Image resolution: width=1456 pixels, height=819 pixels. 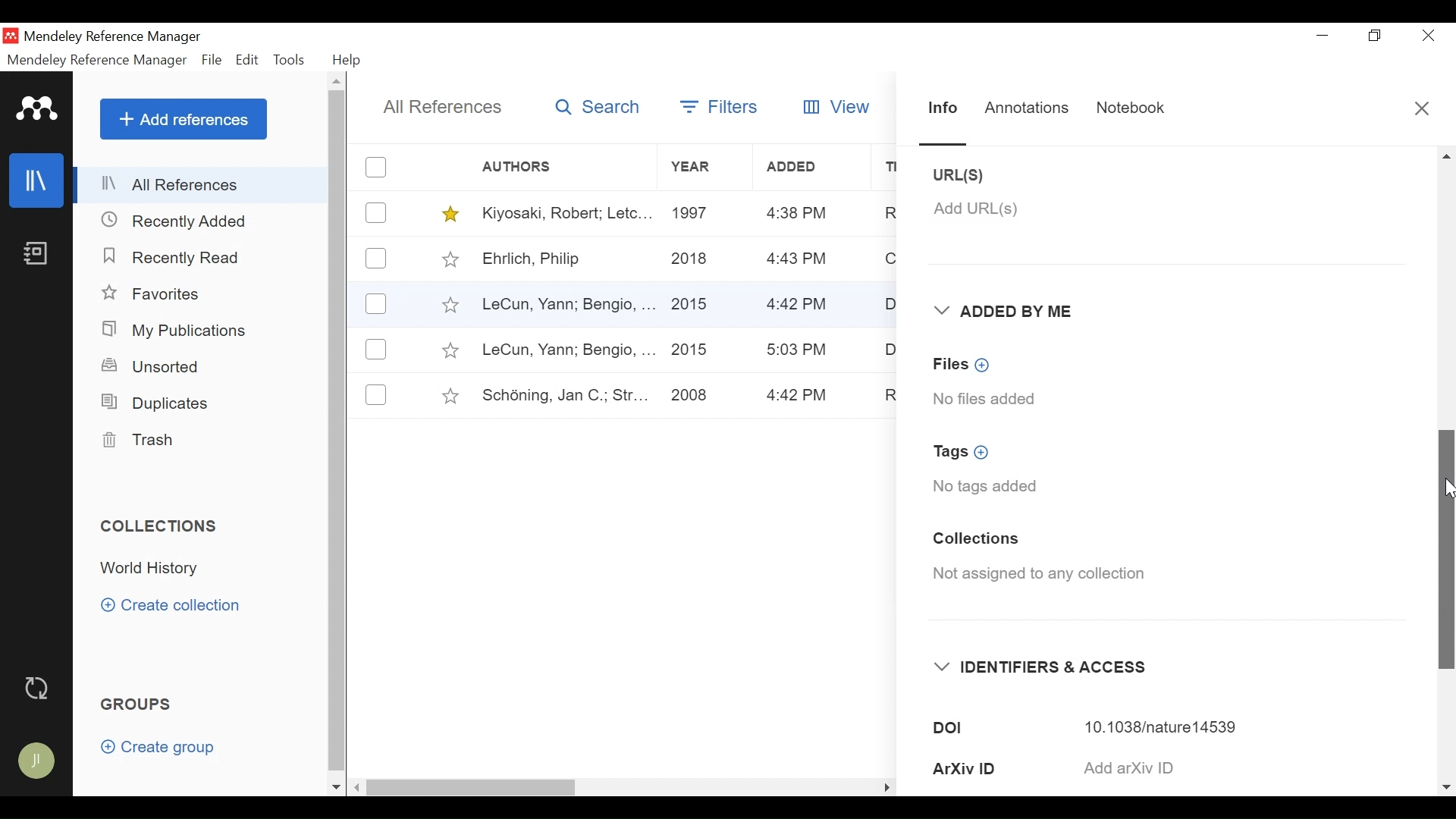 I want to click on Toggle Favorites, so click(x=450, y=396).